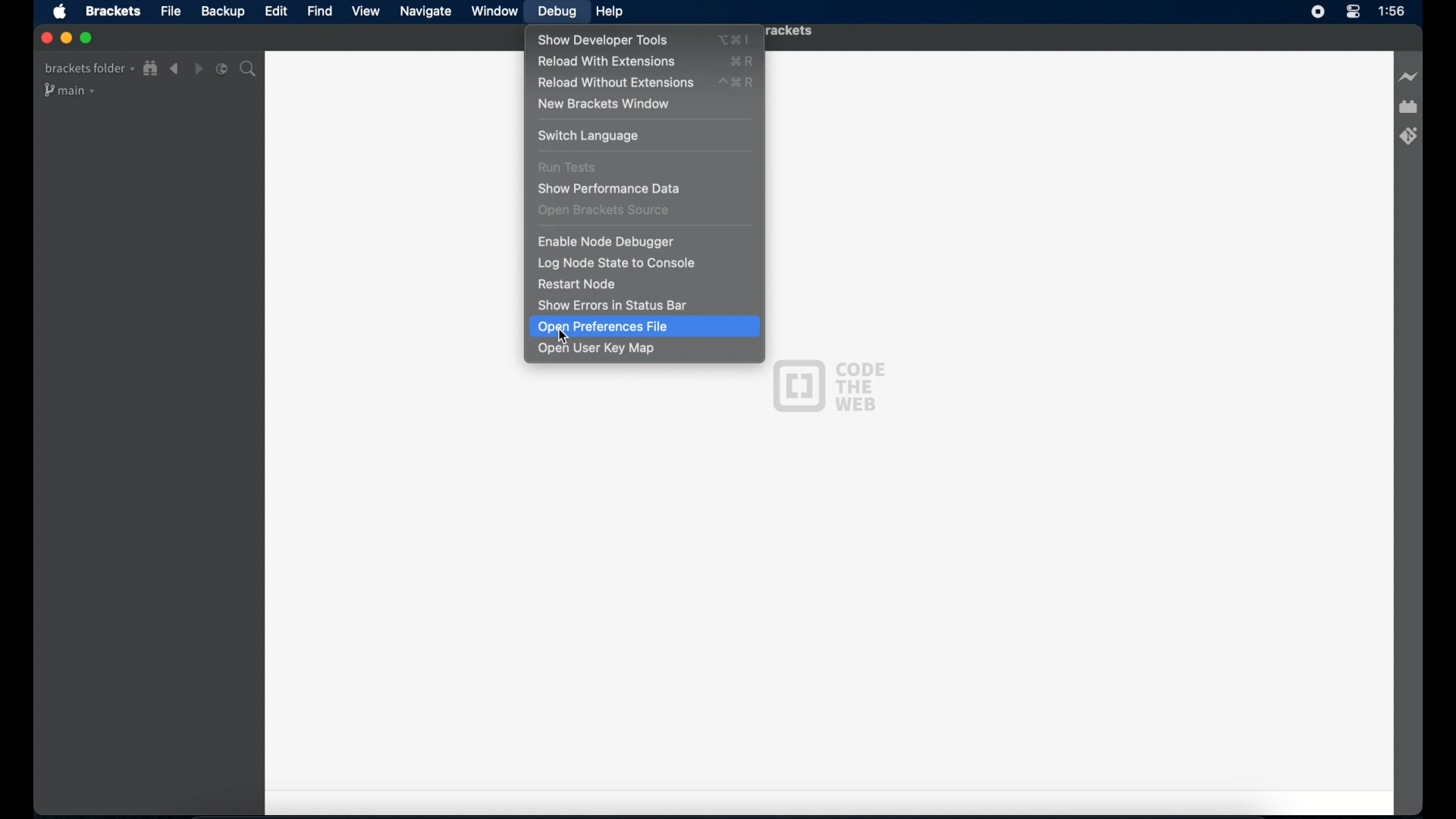 This screenshot has width=1456, height=819. Describe the element at coordinates (616, 264) in the screenshot. I see `log node state to console` at that location.